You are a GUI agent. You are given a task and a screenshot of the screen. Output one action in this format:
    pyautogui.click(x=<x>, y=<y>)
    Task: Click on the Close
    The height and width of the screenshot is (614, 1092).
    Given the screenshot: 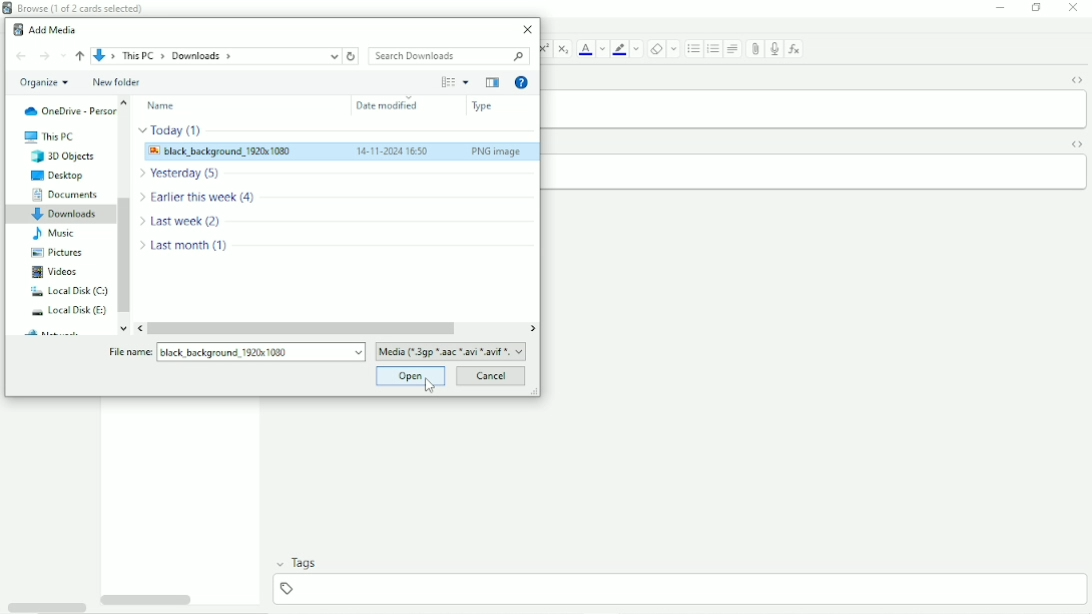 What is the action you would take?
    pyautogui.click(x=1074, y=9)
    